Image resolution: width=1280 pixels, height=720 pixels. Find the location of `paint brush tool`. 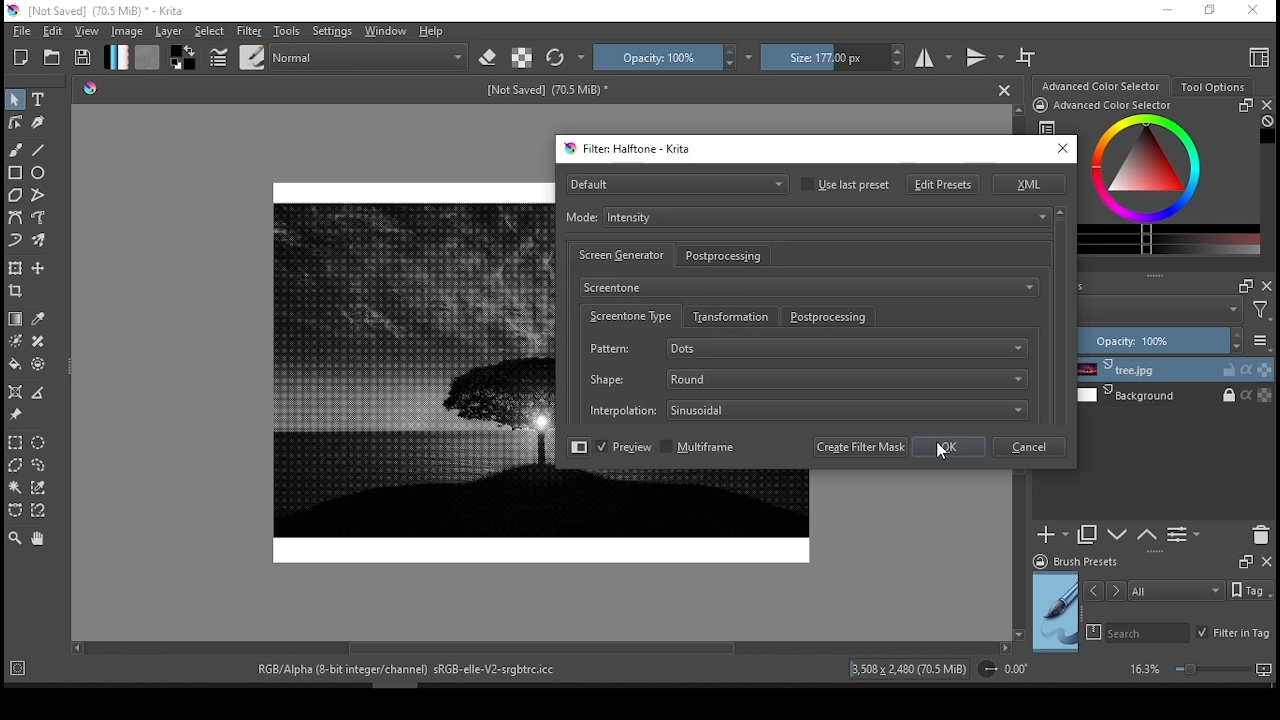

paint brush tool is located at coordinates (16, 149).